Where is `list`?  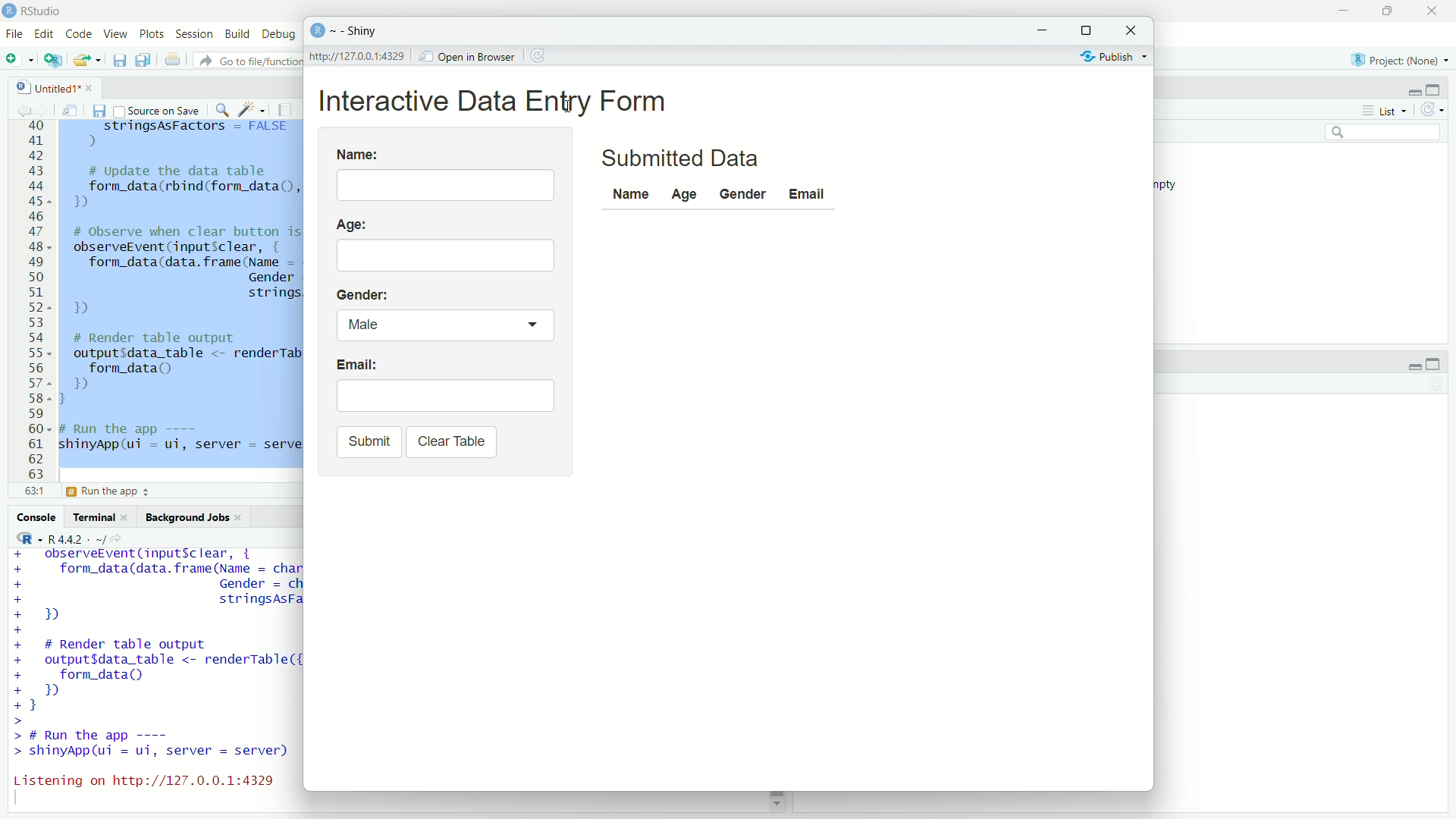 list is located at coordinates (1382, 111).